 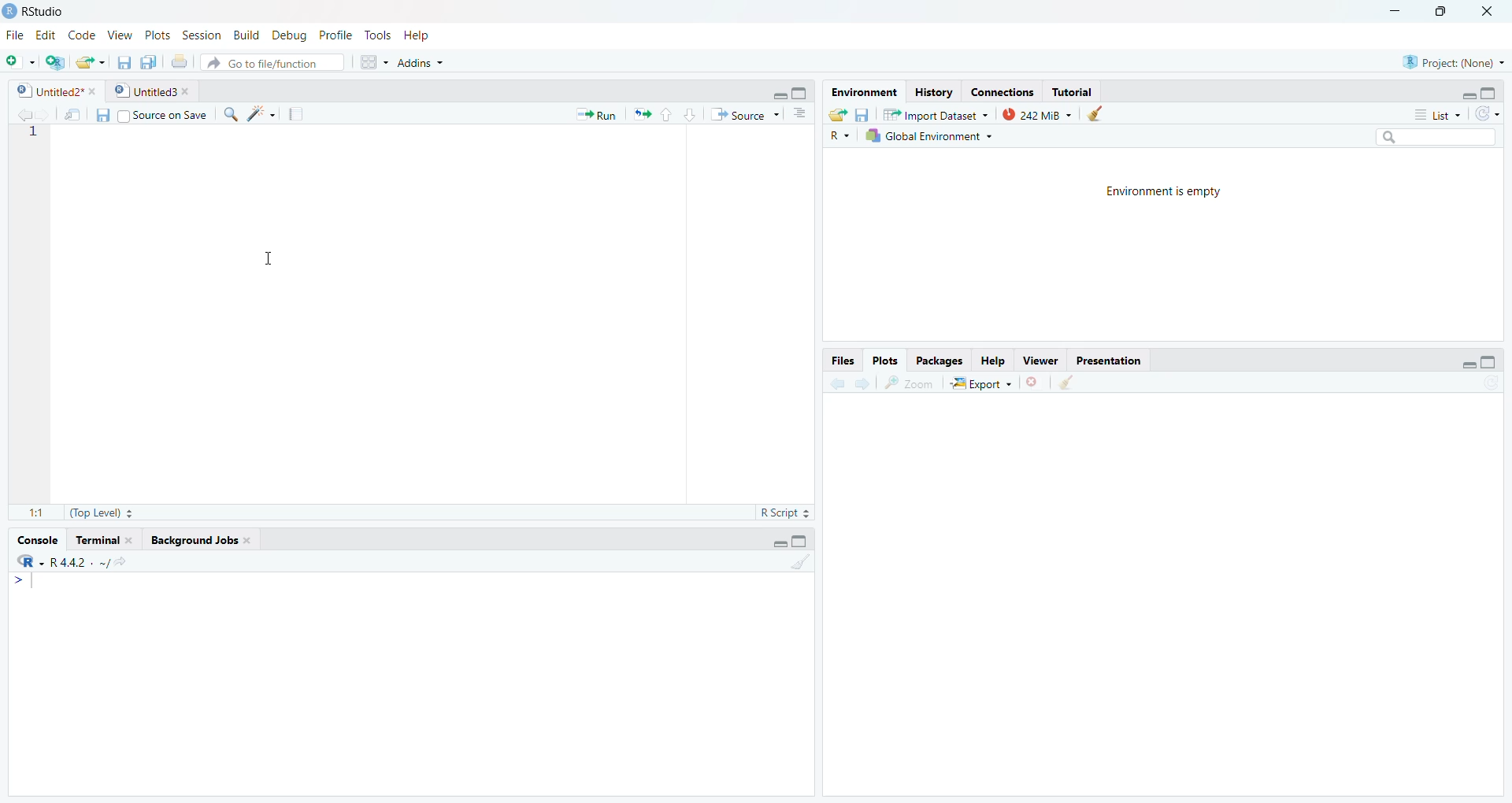 What do you see at coordinates (82, 36) in the screenshot?
I see `Code` at bounding box center [82, 36].